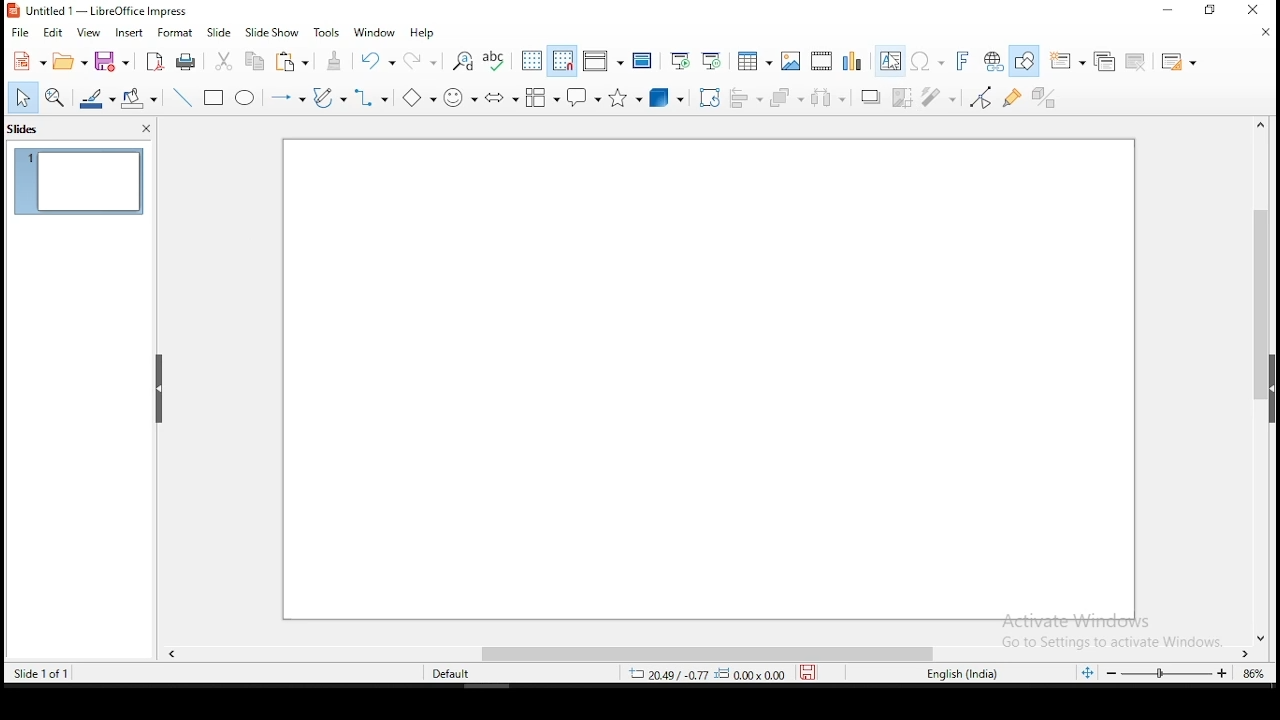 This screenshot has width=1280, height=720. I want to click on edit, so click(54, 33).